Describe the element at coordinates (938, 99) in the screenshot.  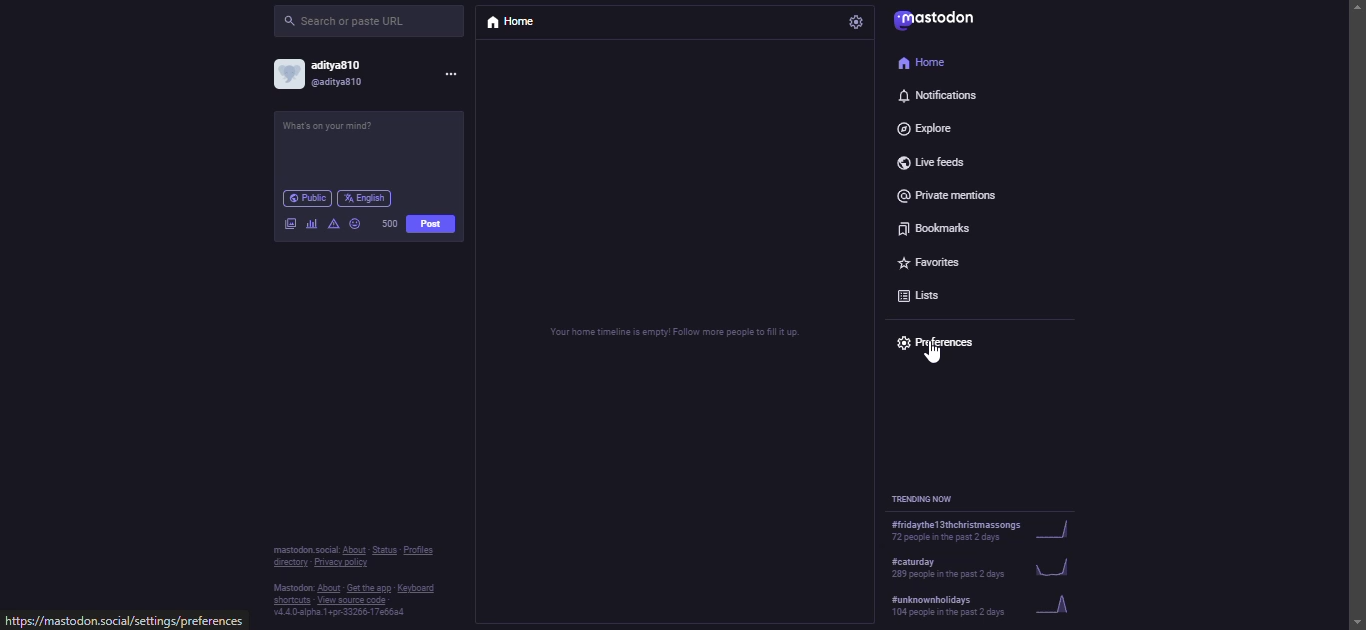
I see `notifications` at that location.